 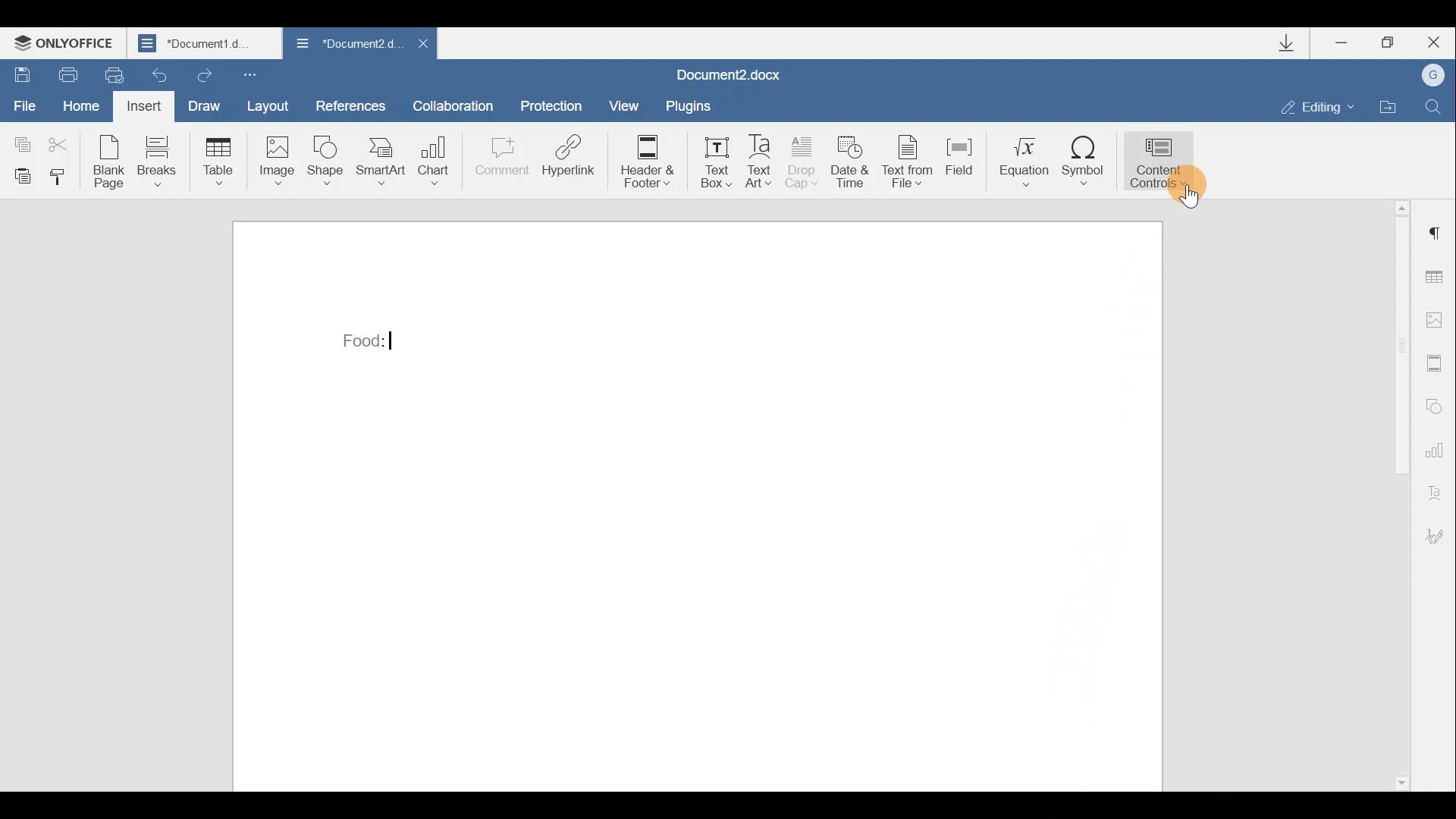 I want to click on Text Art settings, so click(x=1439, y=490).